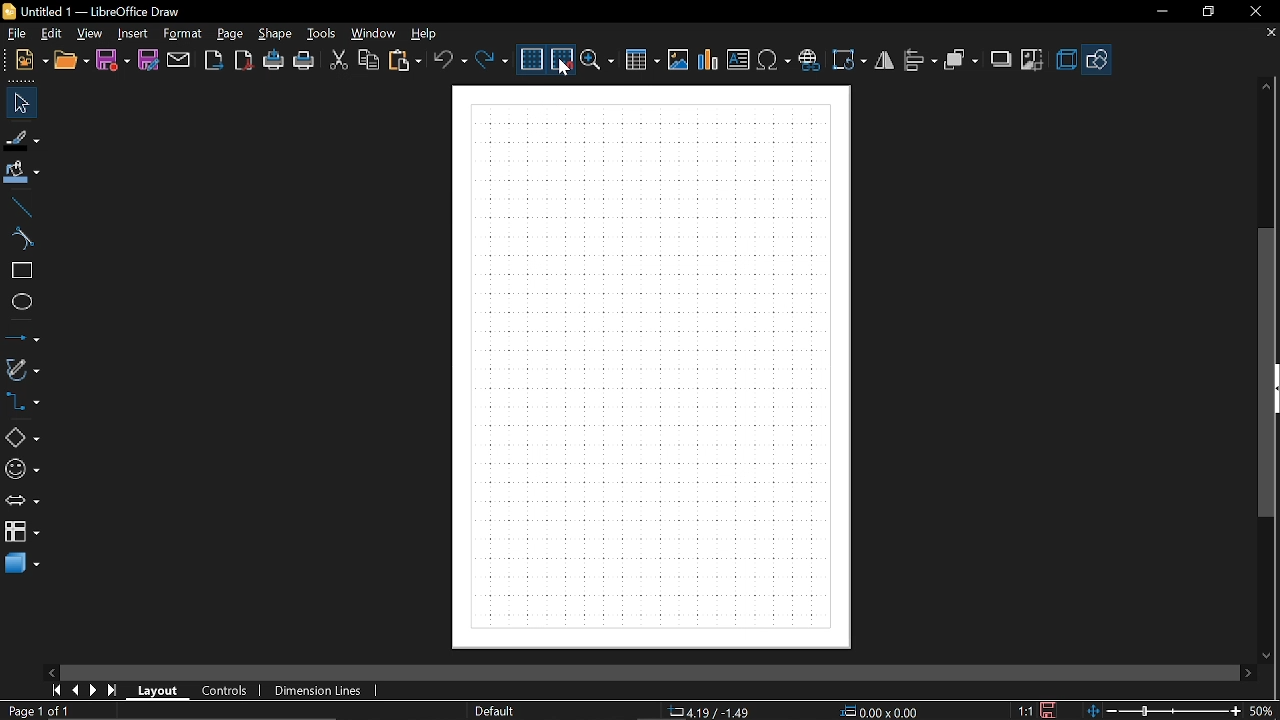 The width and height of the screenshot is (1280, 720). I want to click on shape, so click(276, 34).